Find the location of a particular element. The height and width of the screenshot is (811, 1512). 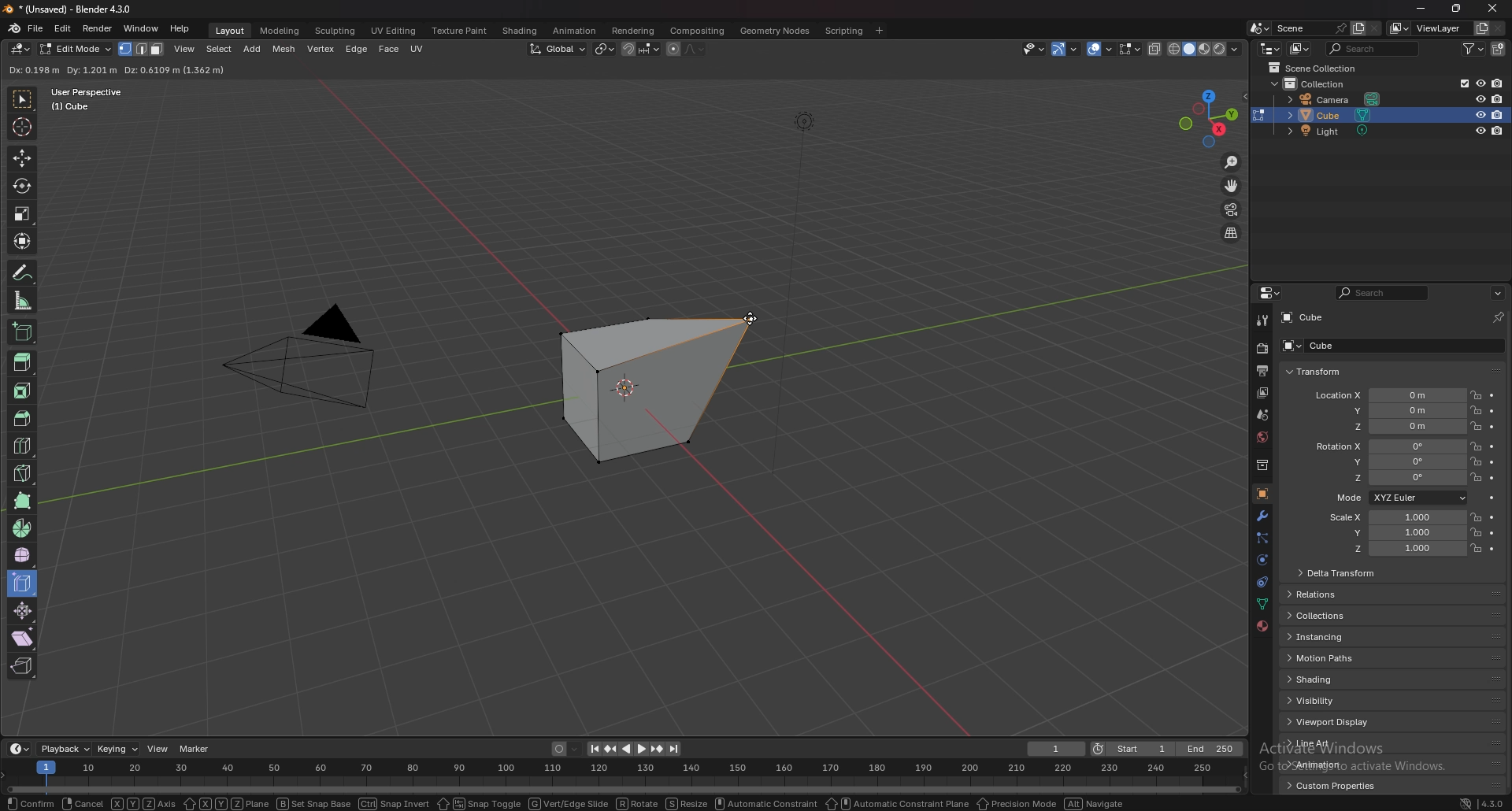

annotate is located at coordinates (22, 272).